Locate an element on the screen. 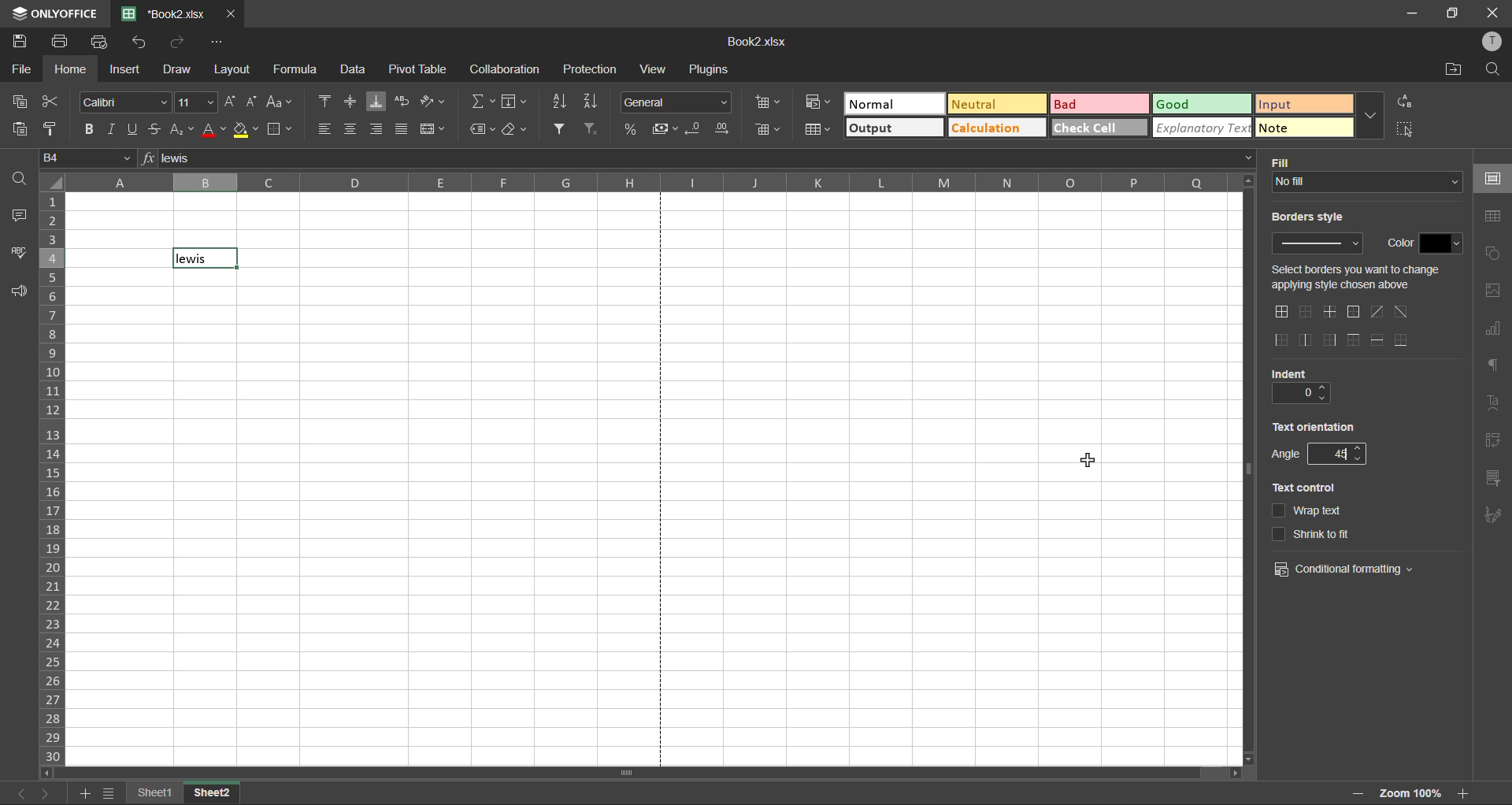  add sheet is located at coordinates (83, 793).